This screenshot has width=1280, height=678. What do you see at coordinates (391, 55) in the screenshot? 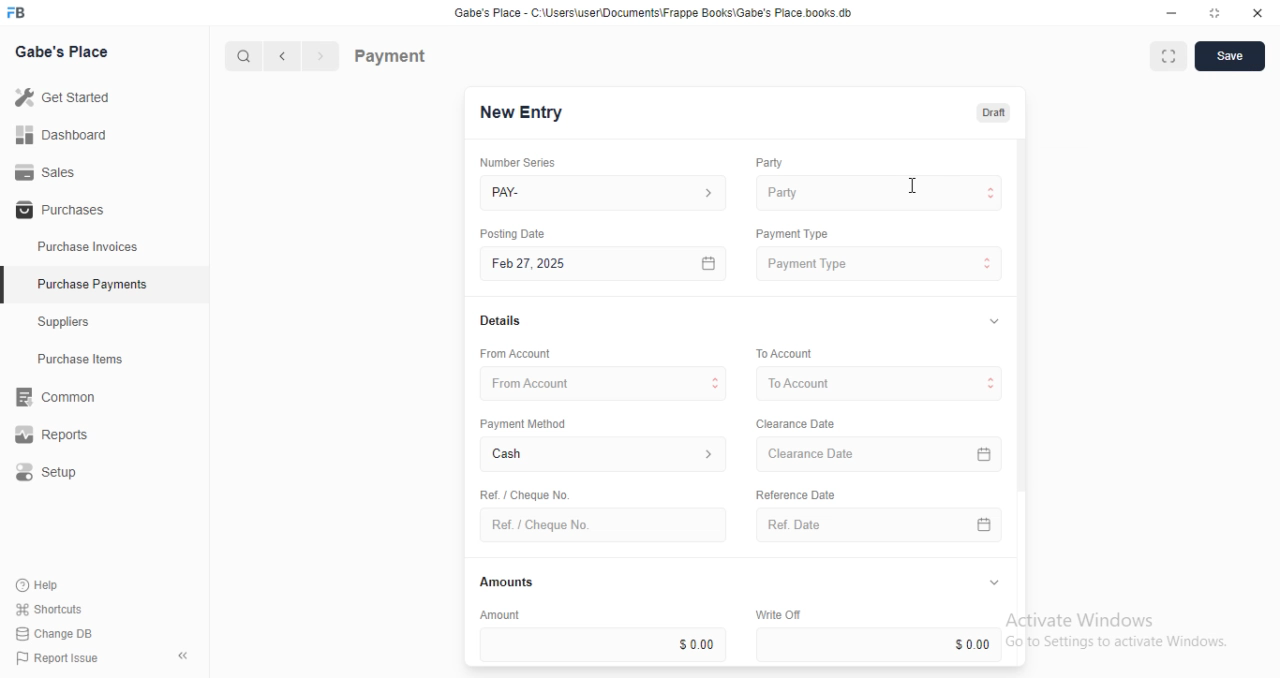
I see `Payment` at bounding box center [391, 55].